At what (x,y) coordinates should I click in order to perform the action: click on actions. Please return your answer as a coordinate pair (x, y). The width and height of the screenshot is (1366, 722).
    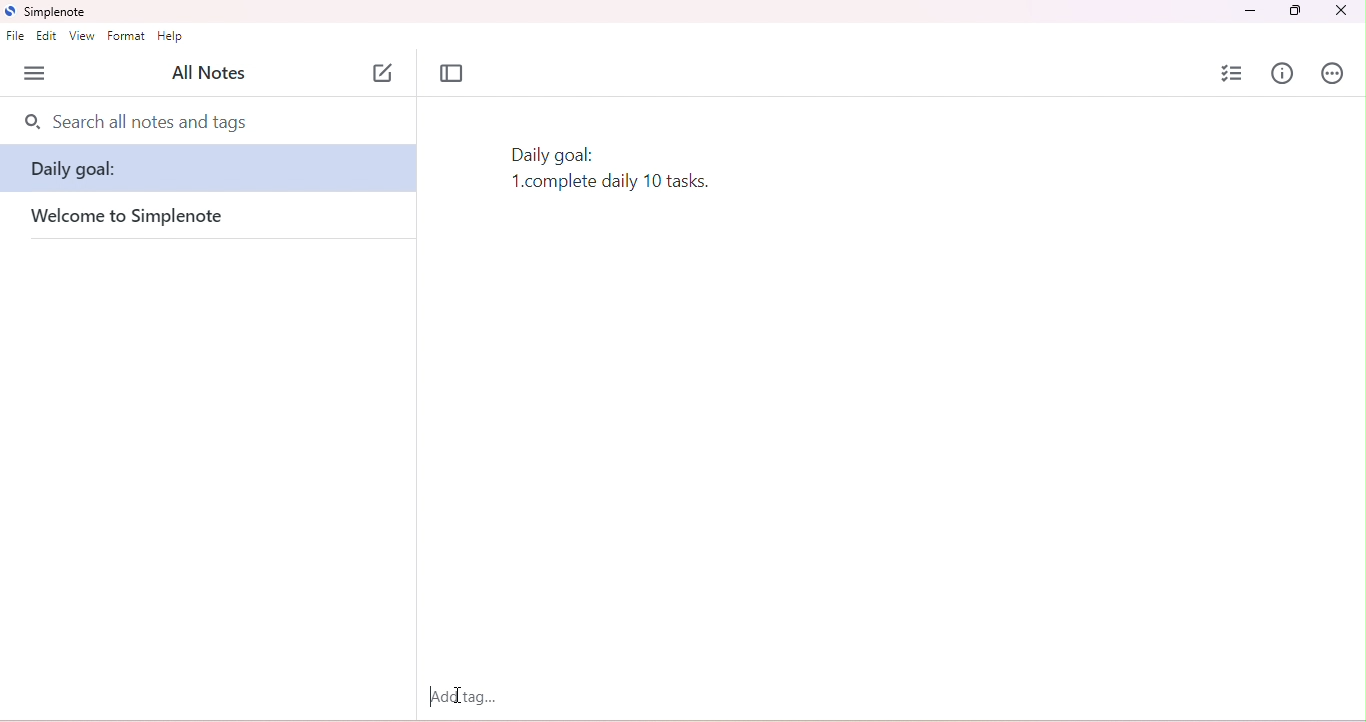
    Looking at the image, I should click on (1331, 73).